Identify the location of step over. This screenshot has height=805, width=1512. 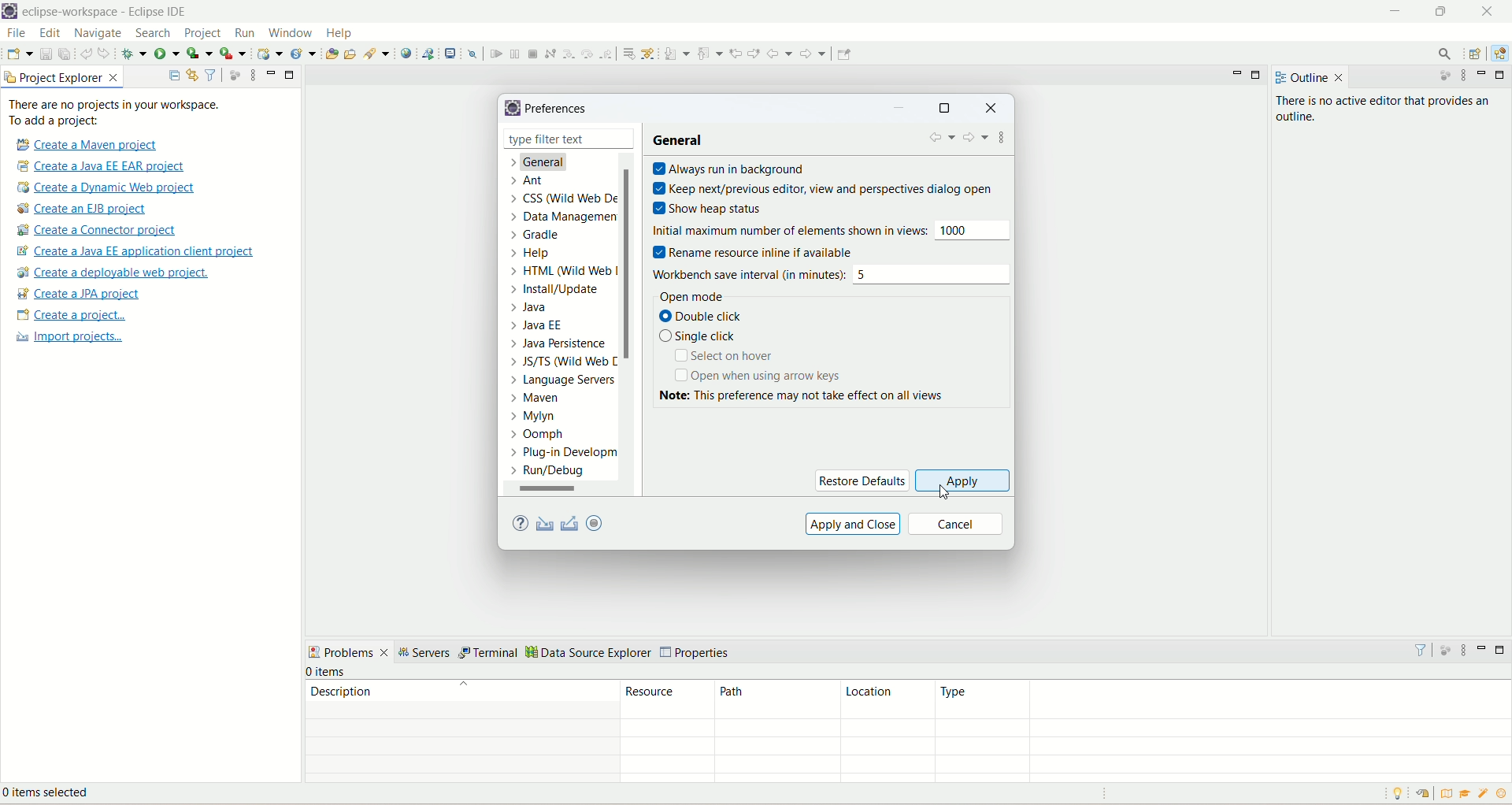
(586, 54).